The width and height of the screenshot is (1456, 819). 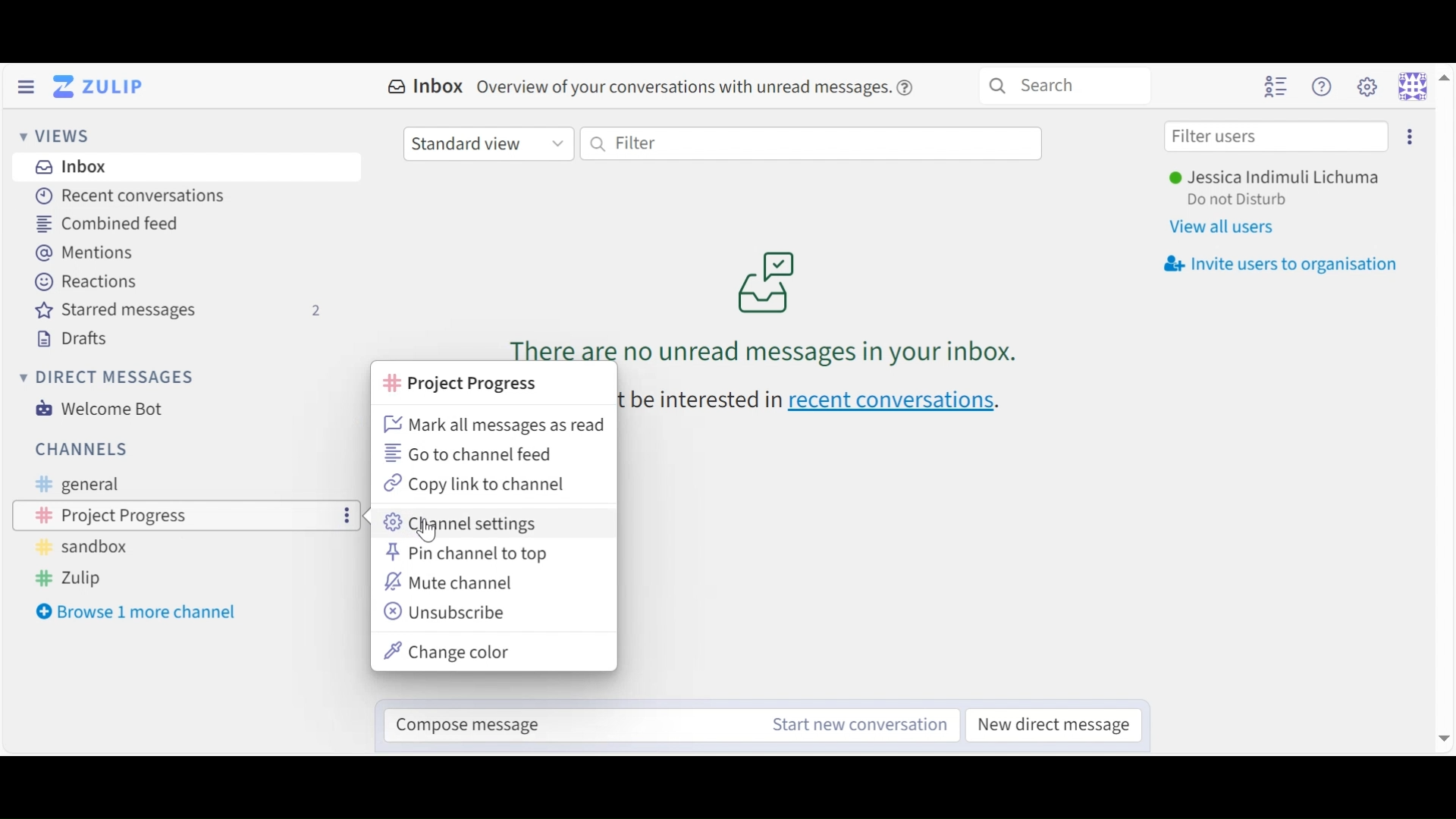 What do you see at coordinates (105, 86) in the screenshot?
I see `Go to Home View (Inbox)` at bounding box center [105, 86].